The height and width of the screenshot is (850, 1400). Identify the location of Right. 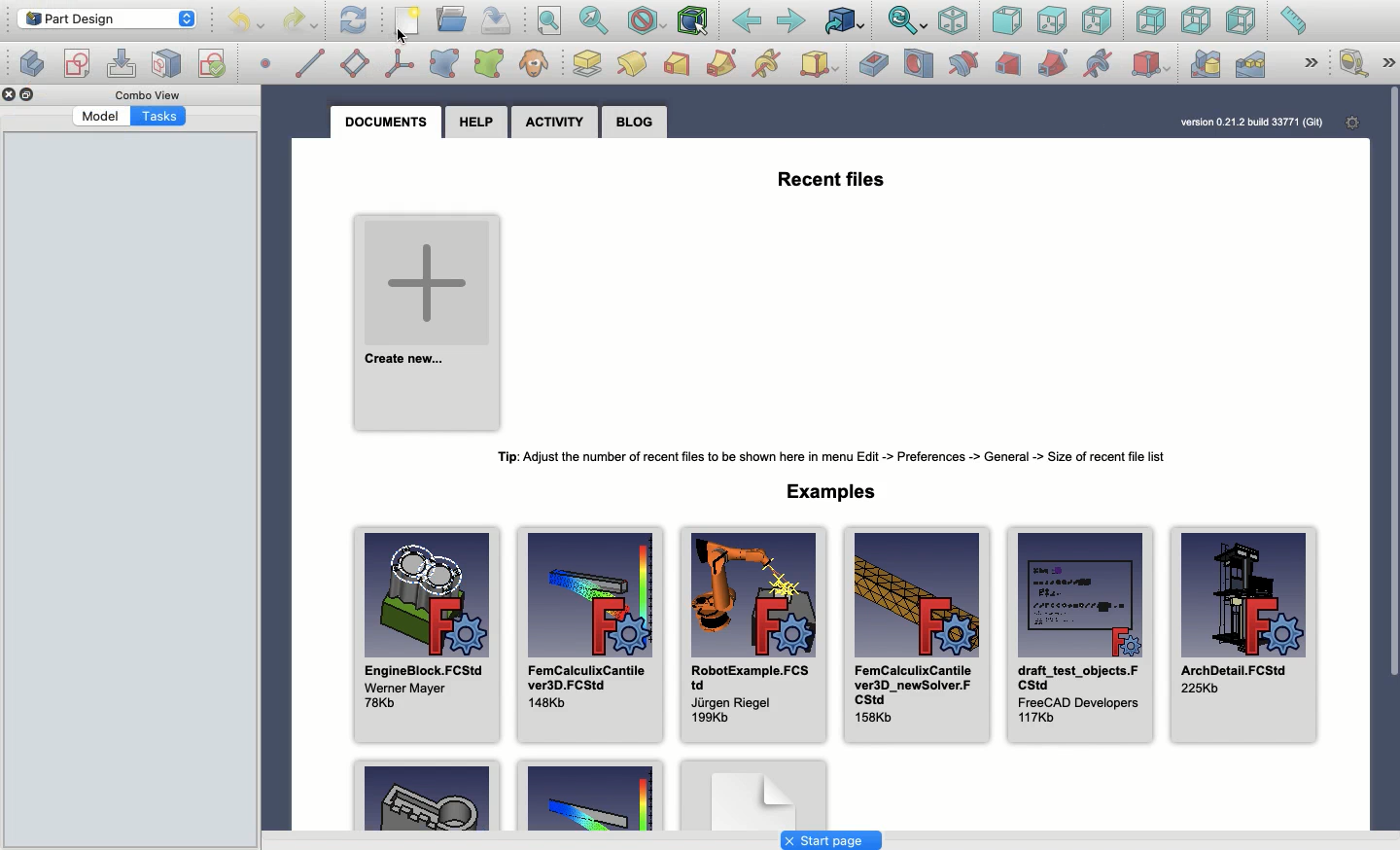
(1100, 20).